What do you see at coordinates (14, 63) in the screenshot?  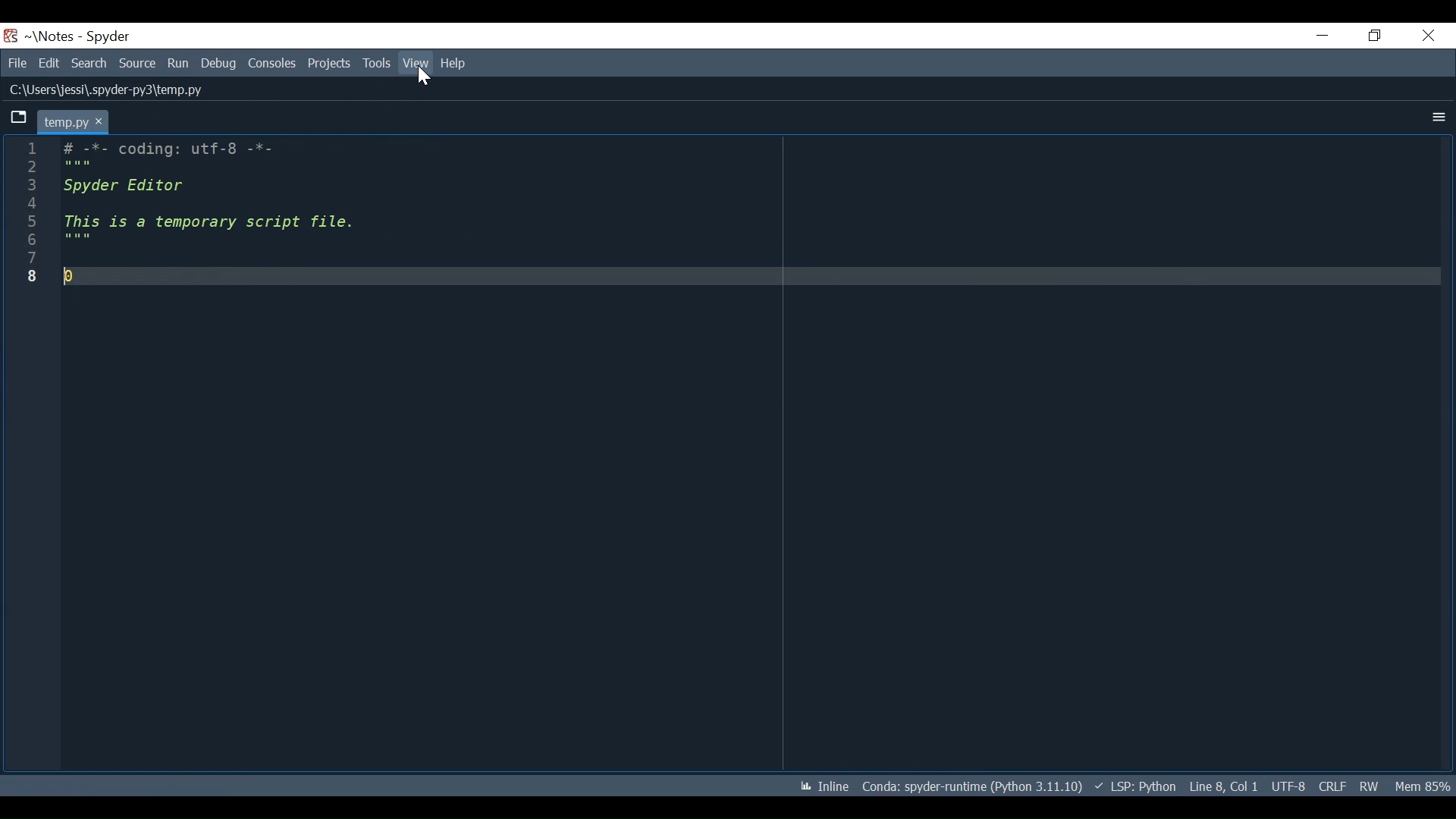 I see `File` at bounding box center [14, 63].